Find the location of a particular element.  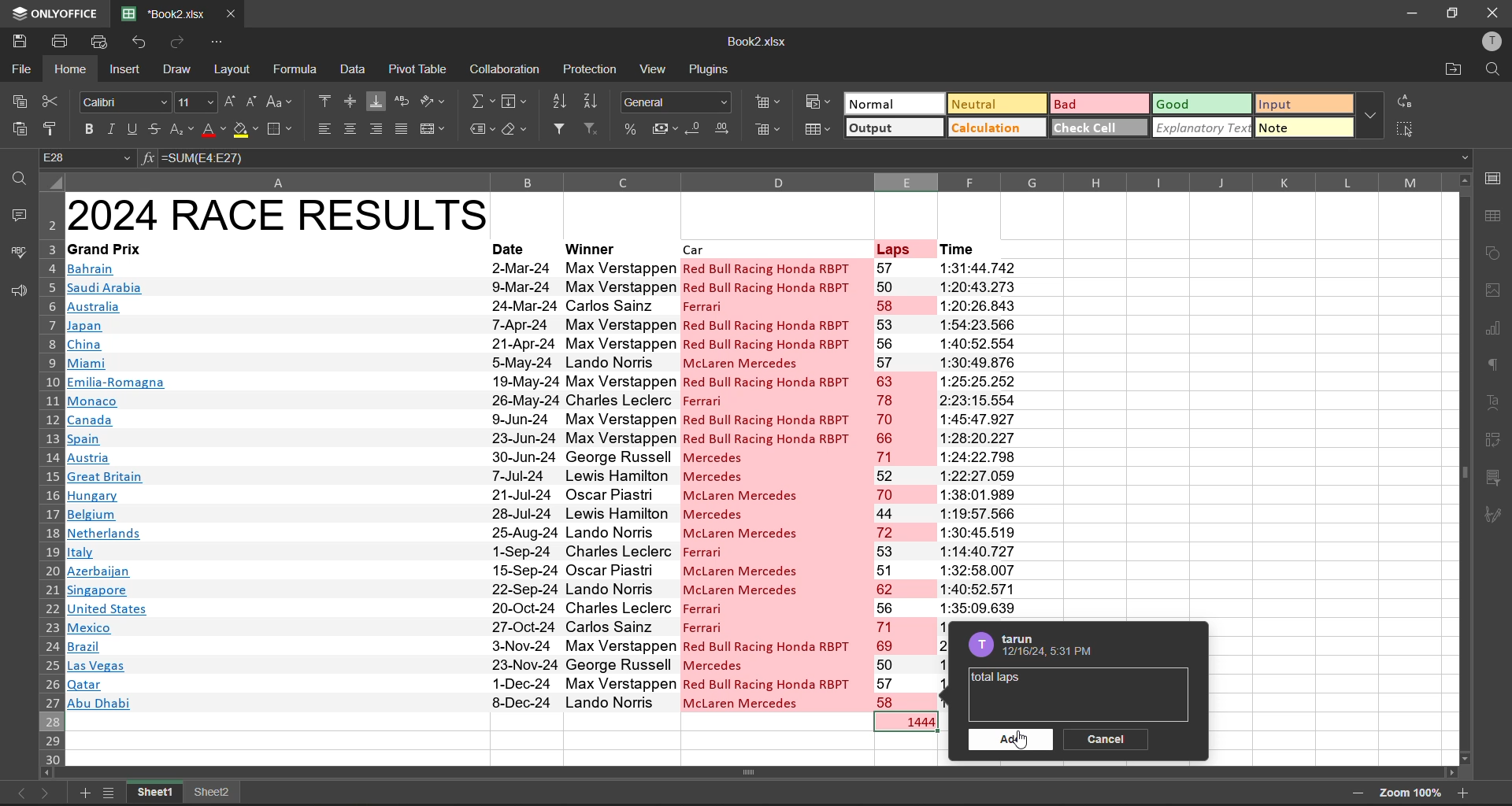

insert cells is located at coordinates (771, 104).